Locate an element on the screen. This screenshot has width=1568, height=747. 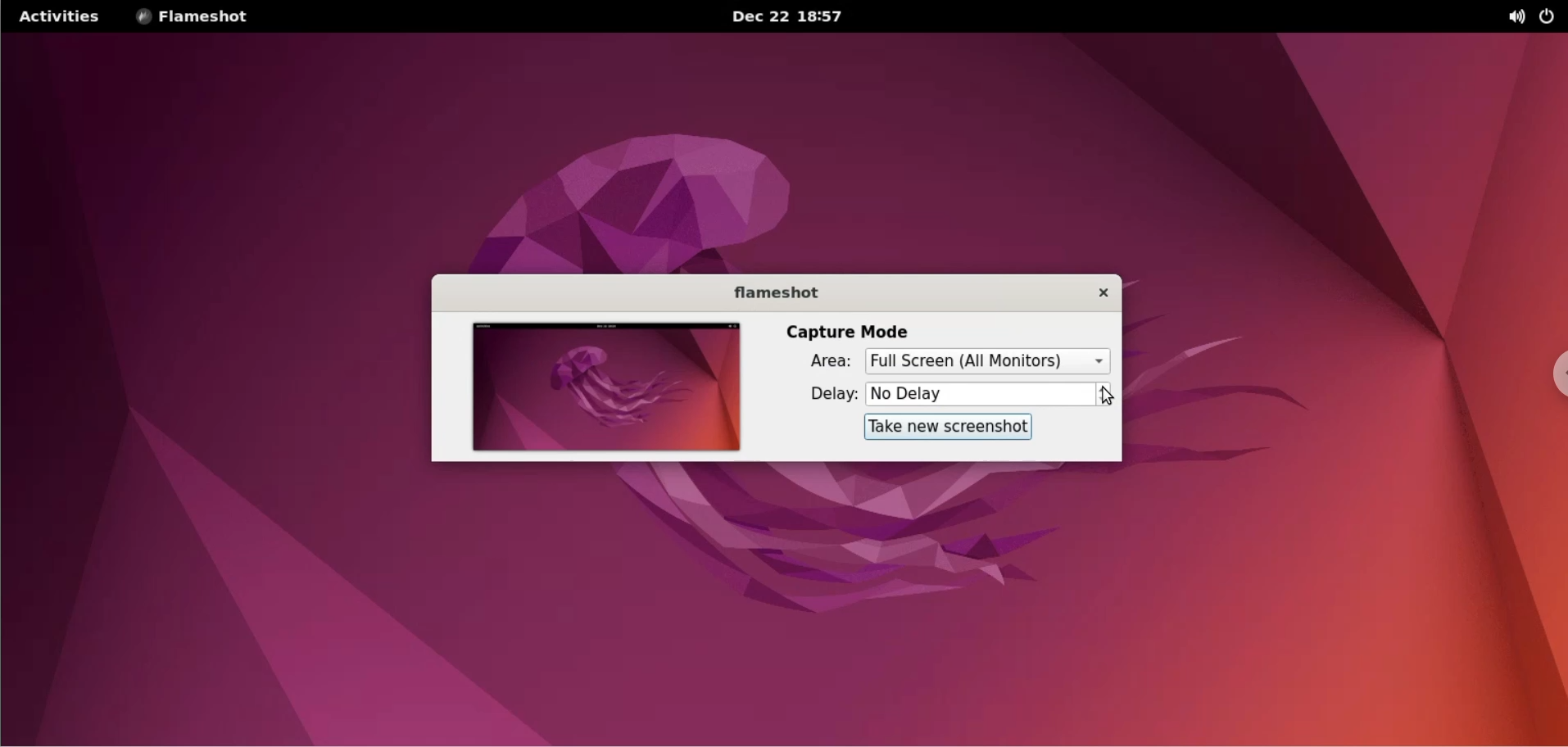
activities is located at coordinates (57, 16).